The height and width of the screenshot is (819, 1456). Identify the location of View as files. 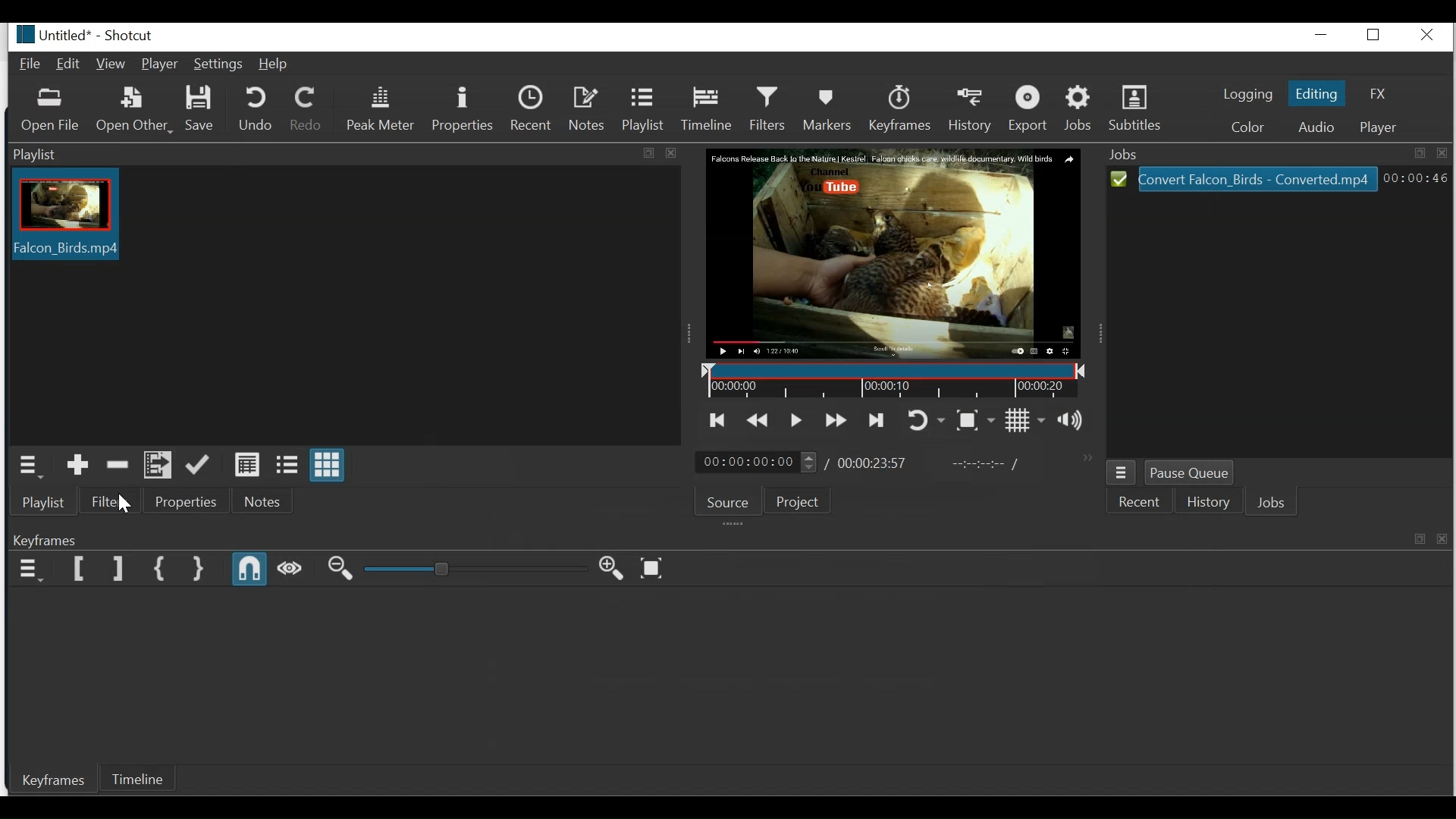
(286, 466).